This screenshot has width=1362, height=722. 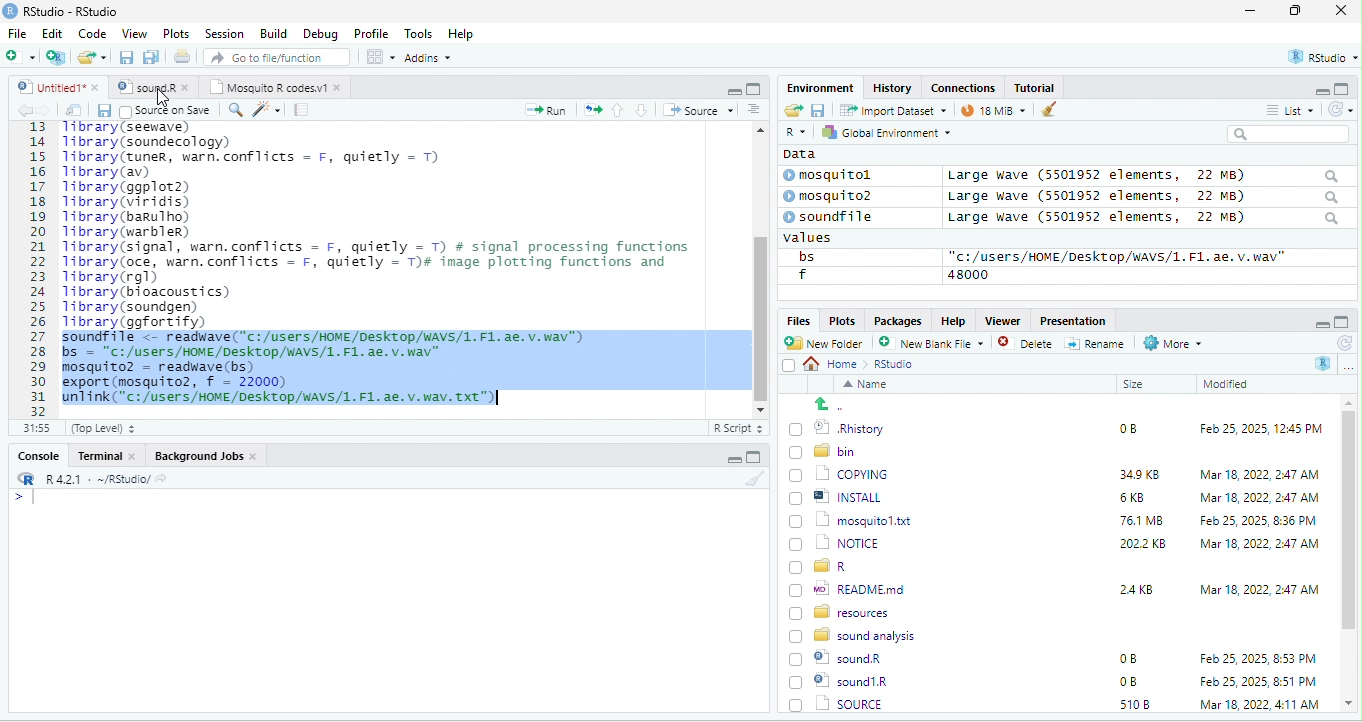 What do you see at coordinates (1254, 520) in the screenshot?
I see `Feb 25, 2025, 8:36 PM` at bounding box center [1254, 520].